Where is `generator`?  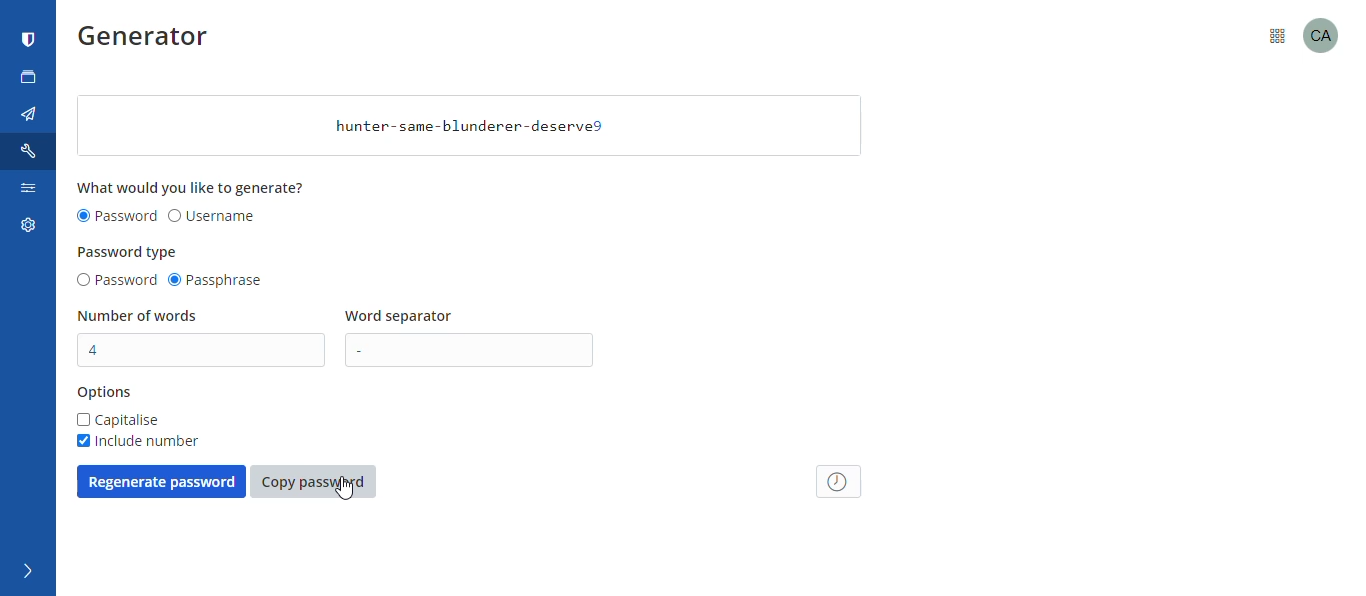 generator is located at coordinates (150, 40).